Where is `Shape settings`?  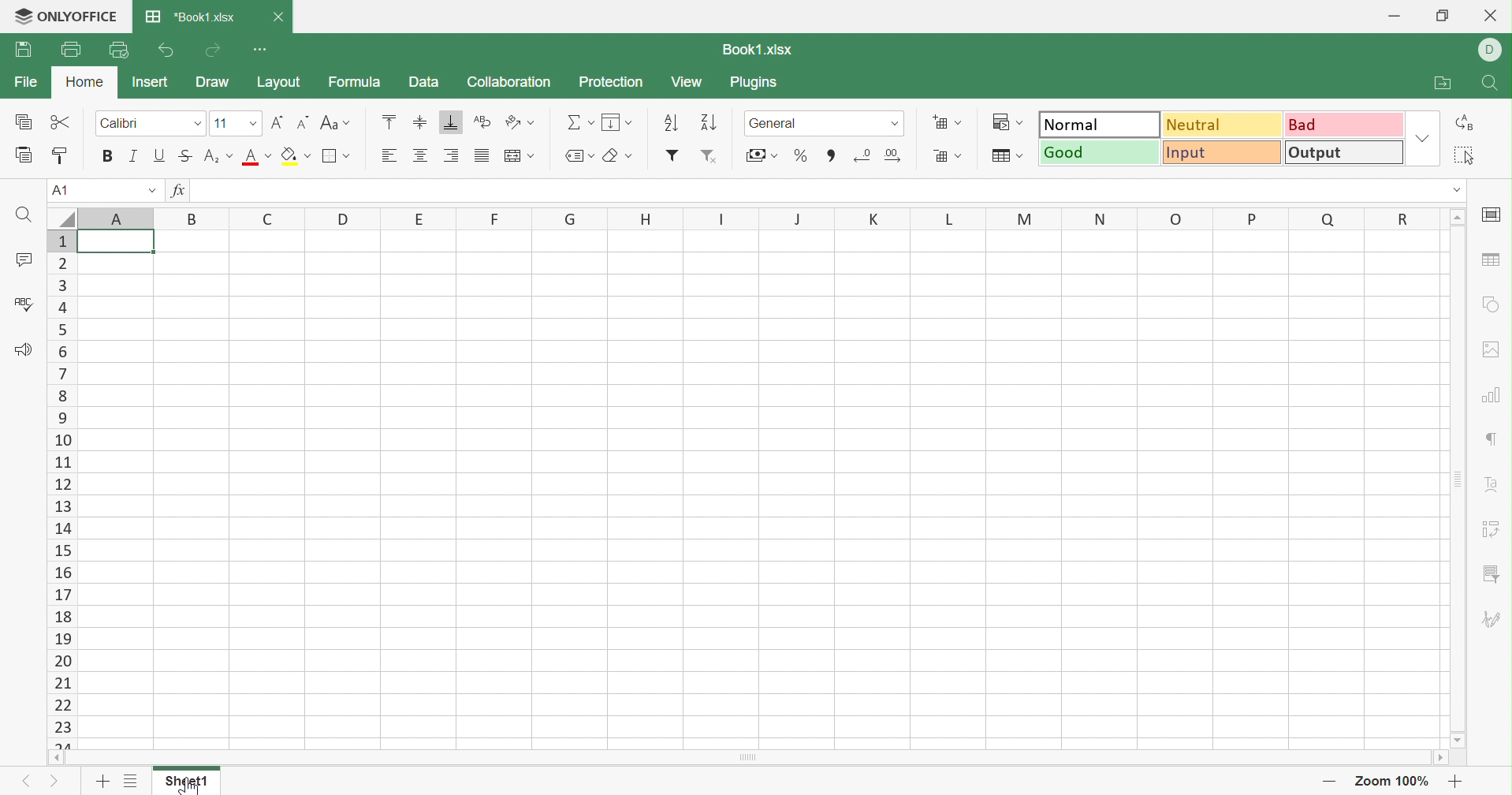
Shape settings is located at coordinates (1491, 303).